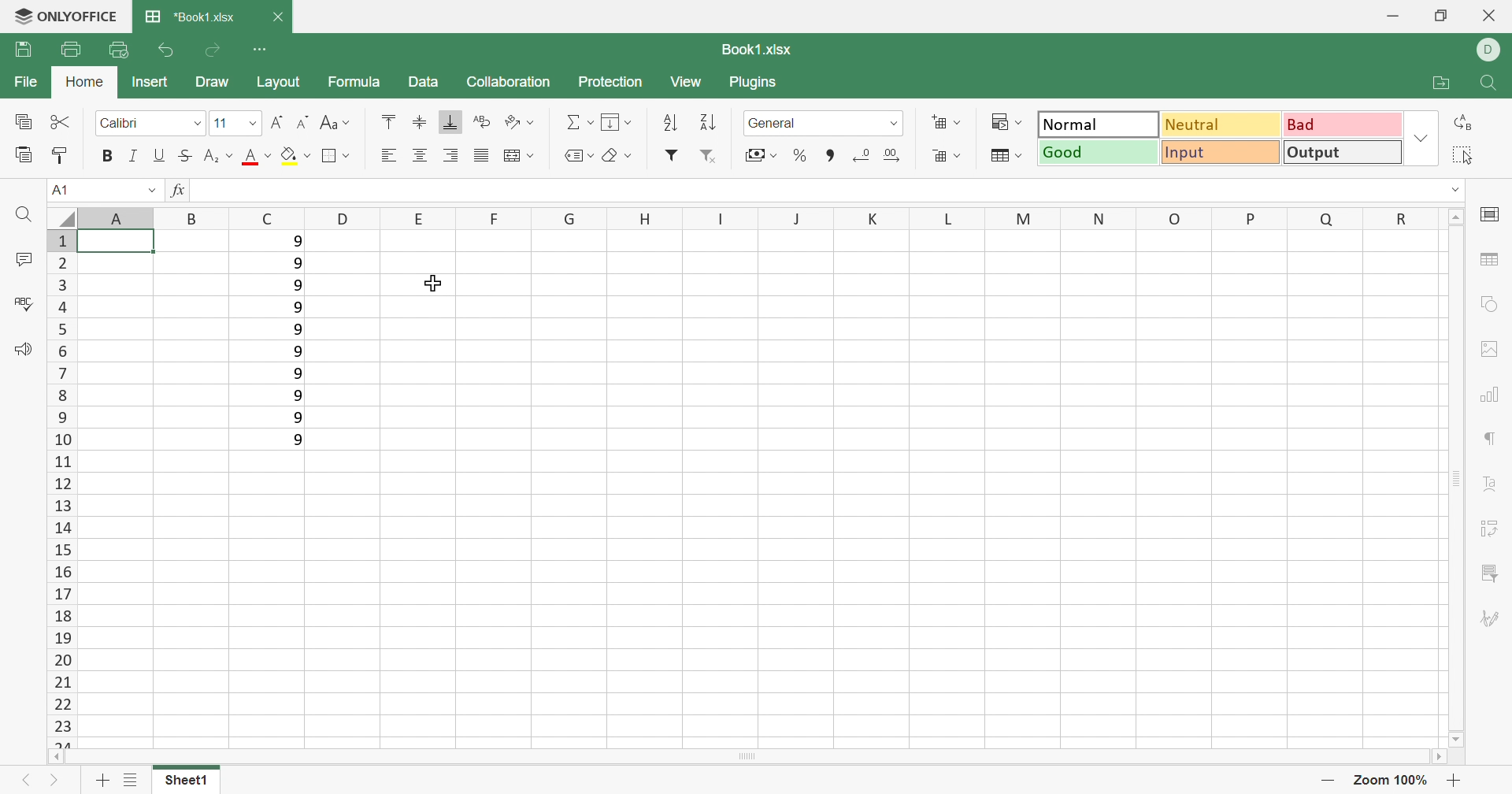 The height and width of the screenshot is (794, 1512). Describe the element at coordinates (131, 781) in the screenshot. I see `List of Sheets` at that location.